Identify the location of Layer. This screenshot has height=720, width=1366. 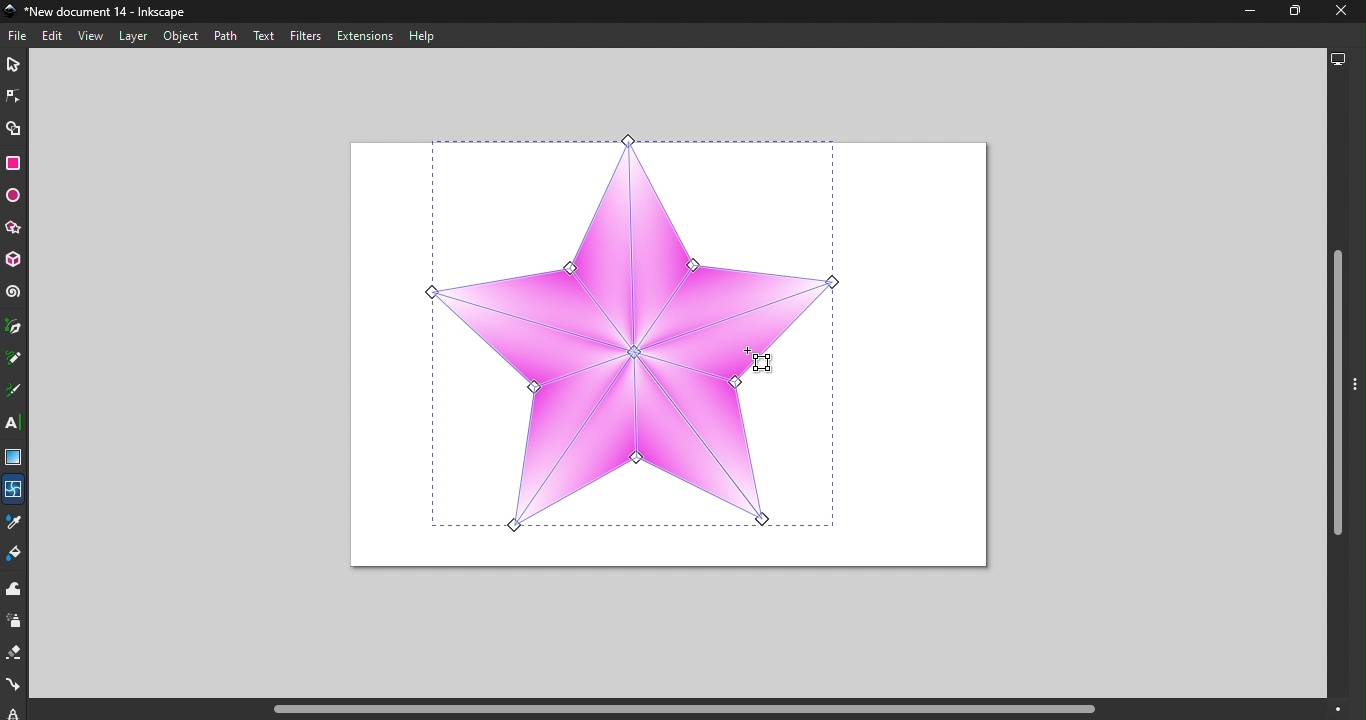
(129, 36).